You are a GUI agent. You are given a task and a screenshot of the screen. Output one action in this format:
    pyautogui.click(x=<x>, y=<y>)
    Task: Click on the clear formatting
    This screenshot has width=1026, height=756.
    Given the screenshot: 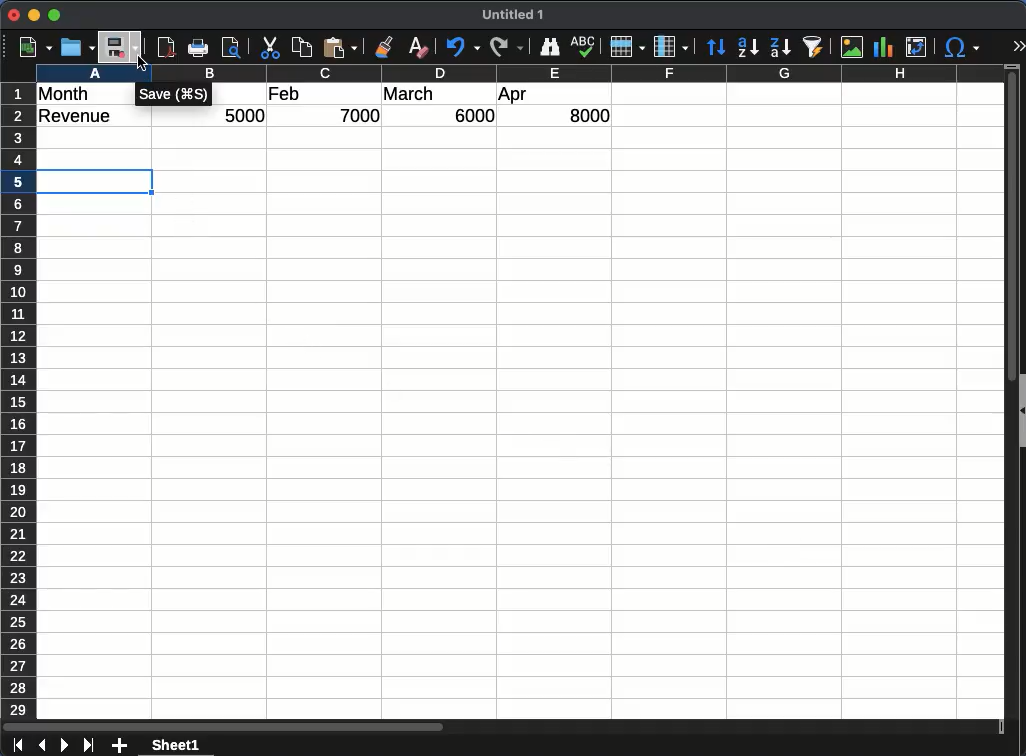 What is the action you would take?
    pyautogui.click(x=418, y=47)
    